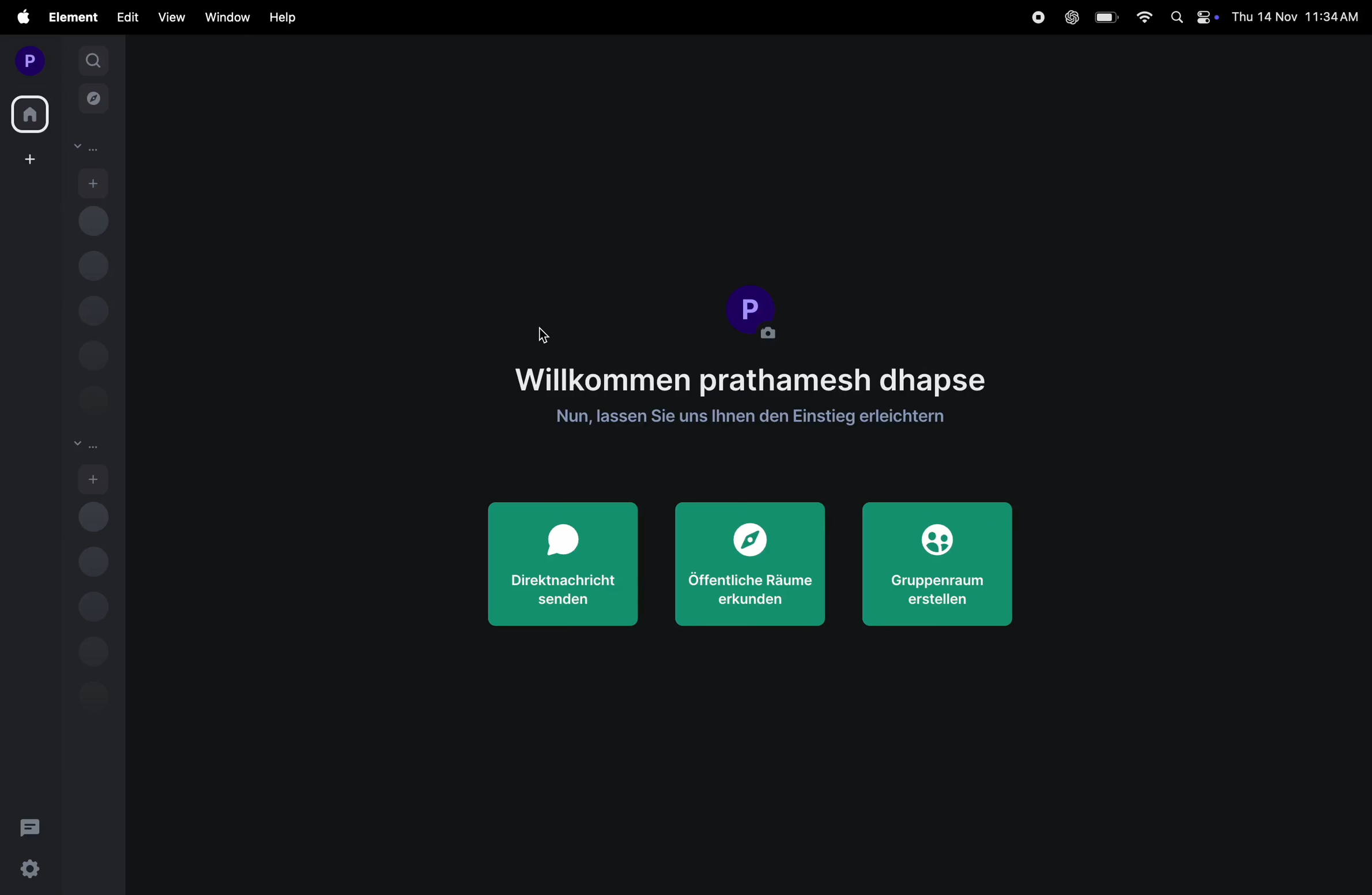  What do you see at coordinates (93, 59) in the screenshot?
I see `search` at bounding box center [93, 59].